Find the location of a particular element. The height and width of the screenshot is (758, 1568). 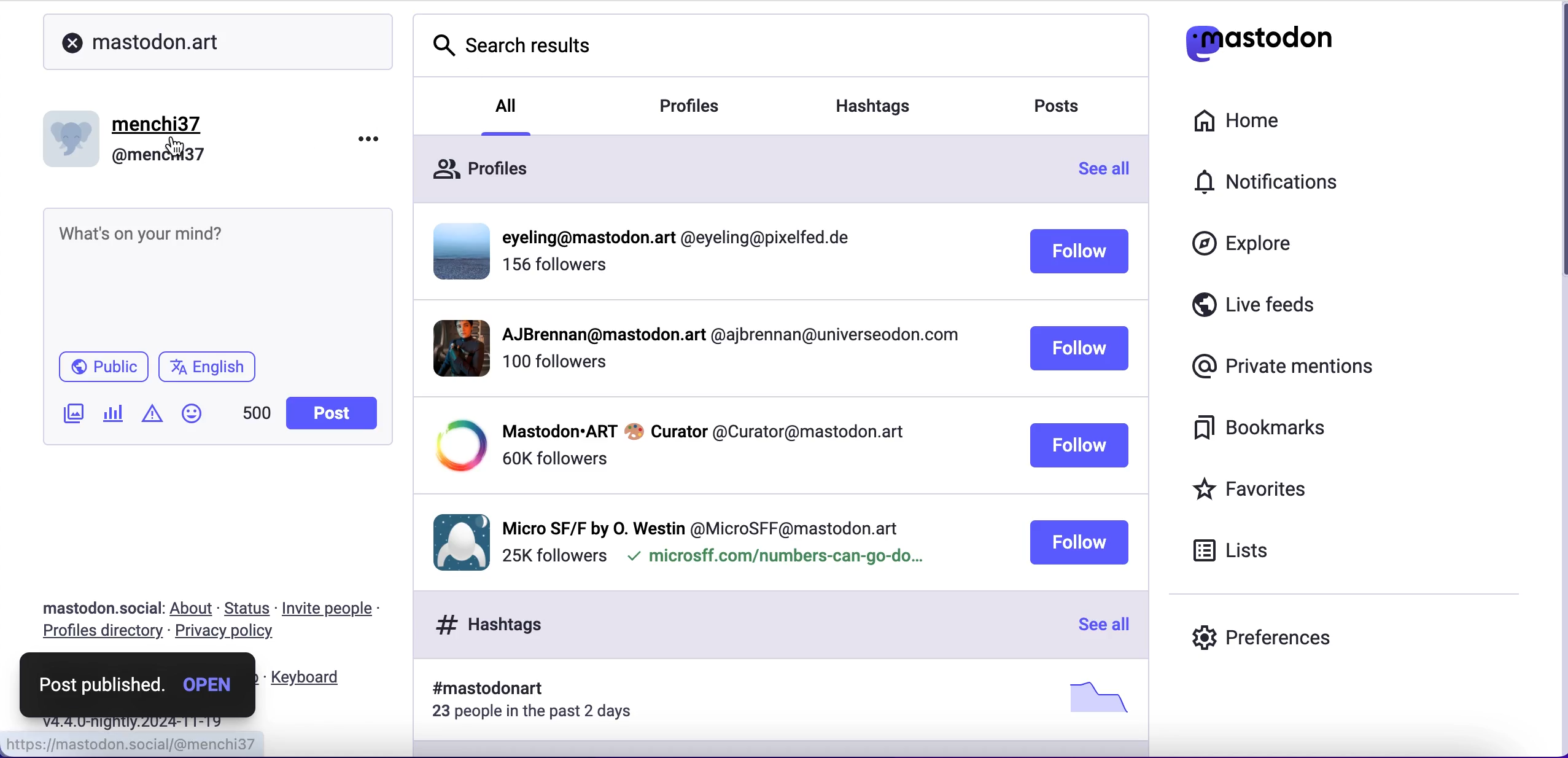

options is located at coordinates (375, 139).